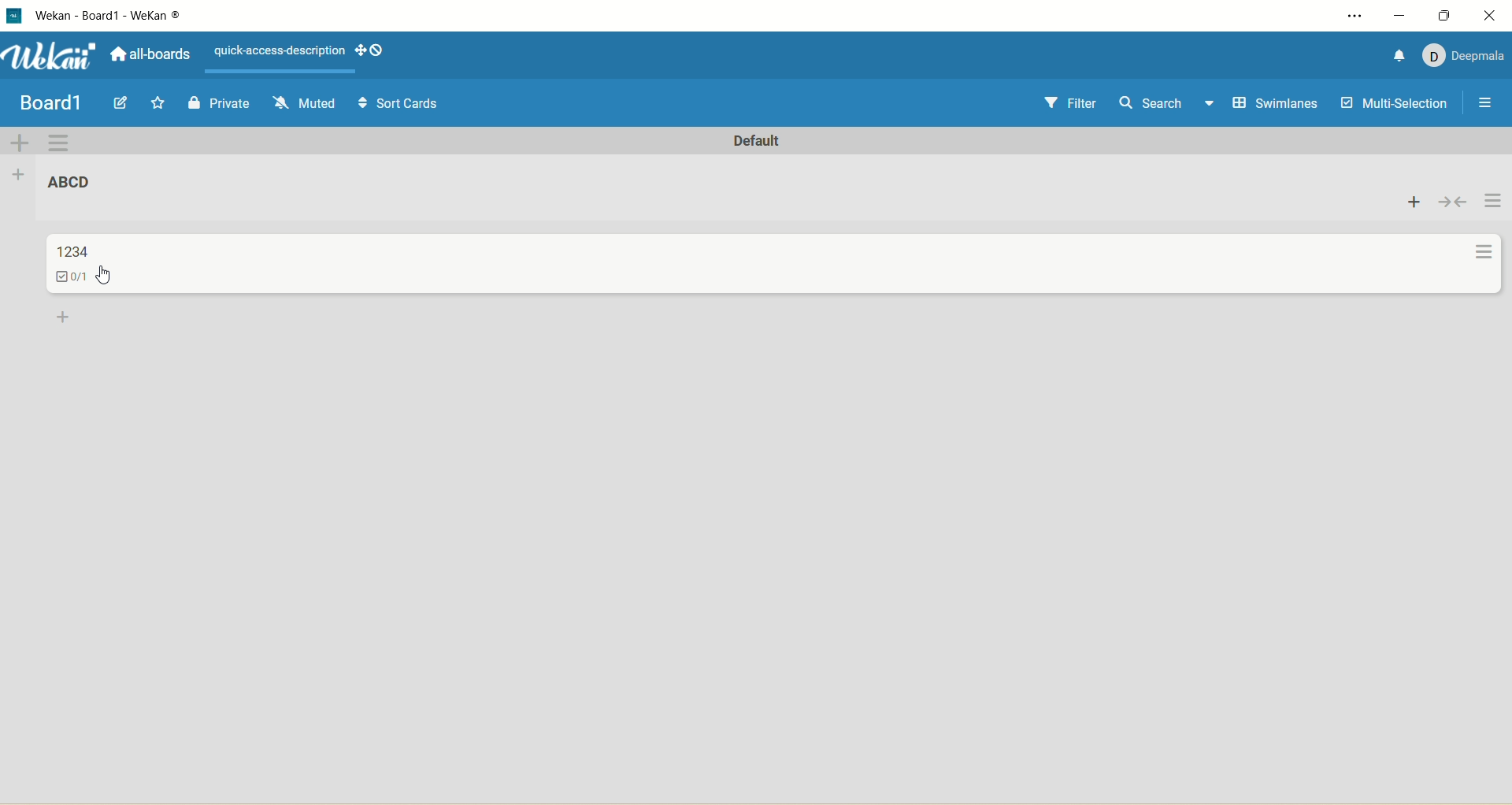 The width and height of the screenshot is (1512, 805). What do you see at coordinates (1358, 16) in the screenshot?
I see `settings and more` at bounding box center [1358, 16].